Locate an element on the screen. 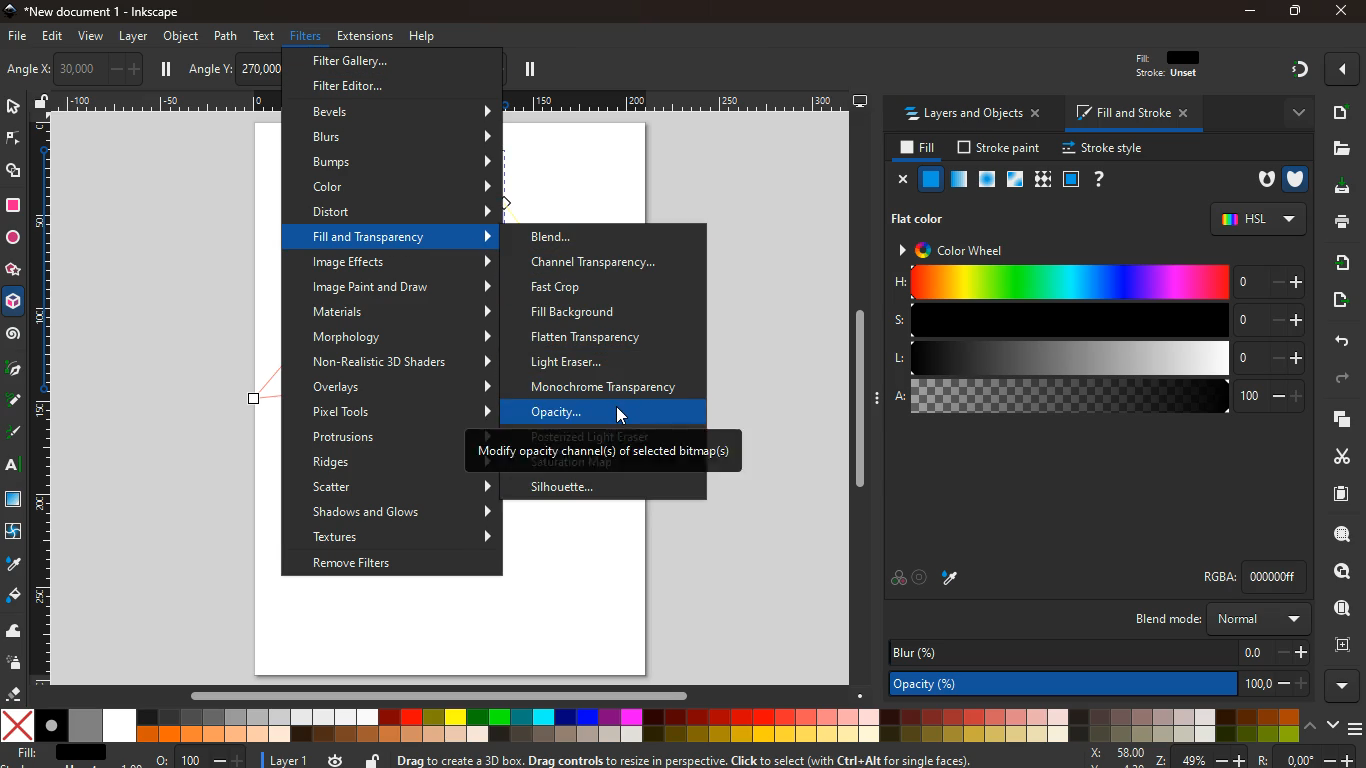  blend is located at coordinates (598, 237).